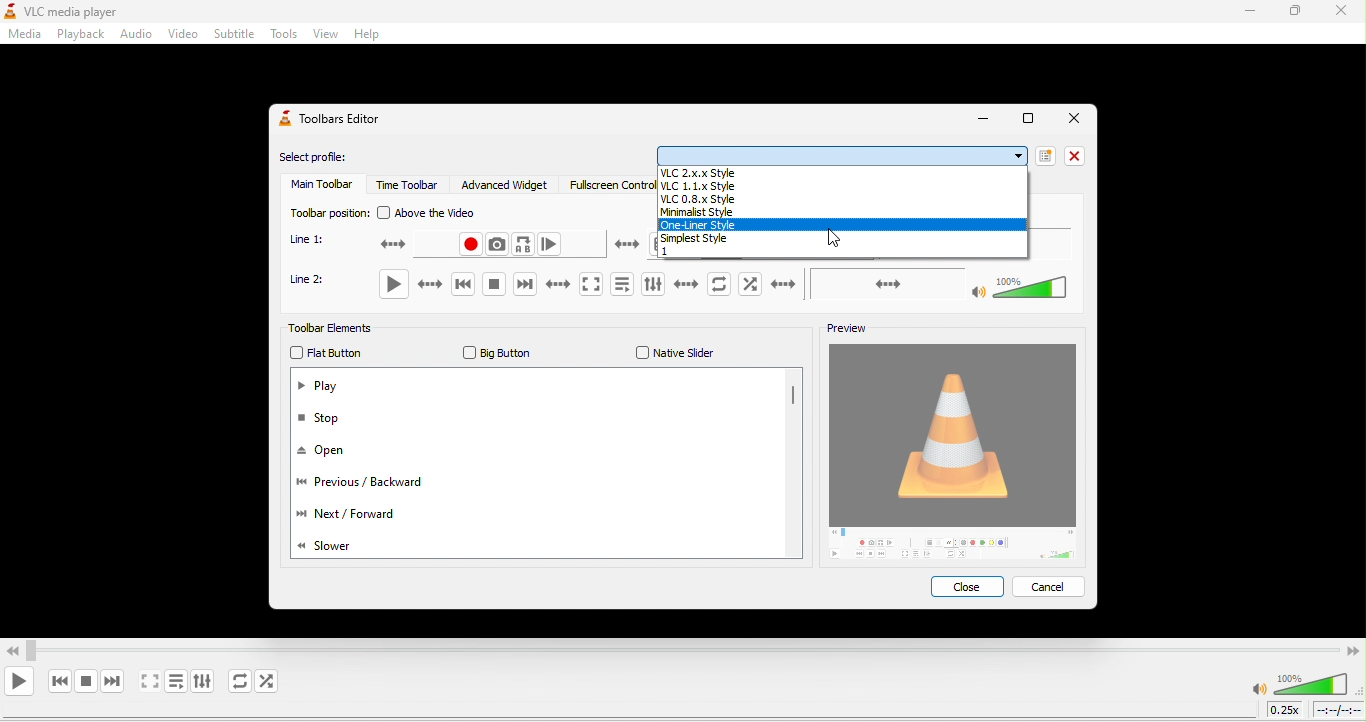  What do you see at coordinates (274, 683) in the screenshot?
I see `random` at bounding box center [274, 683].